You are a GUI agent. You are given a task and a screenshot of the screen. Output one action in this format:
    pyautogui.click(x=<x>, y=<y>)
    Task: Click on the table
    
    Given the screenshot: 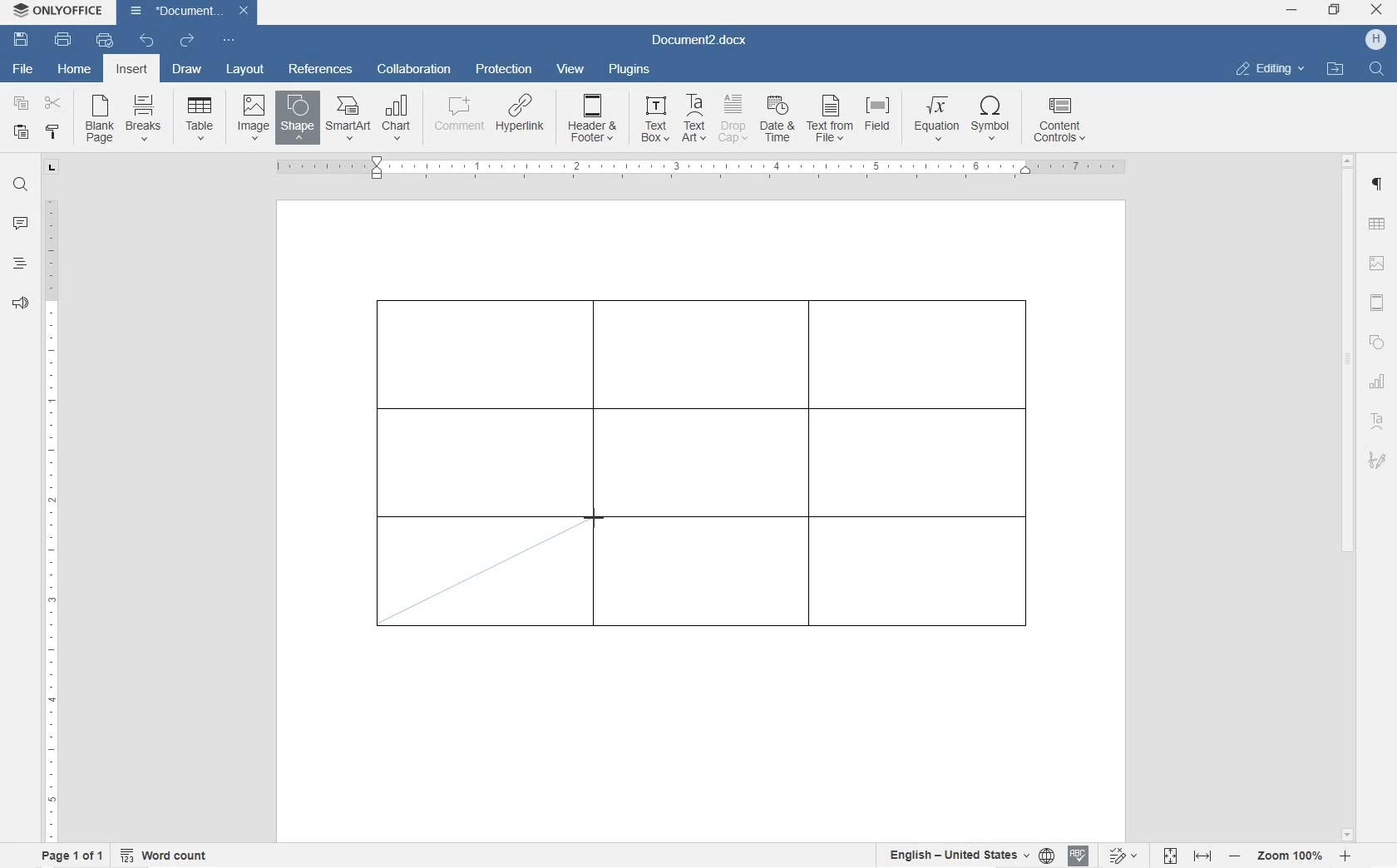 What is the action you would take?
    pyautogui.click(x=1377, y=225)
    